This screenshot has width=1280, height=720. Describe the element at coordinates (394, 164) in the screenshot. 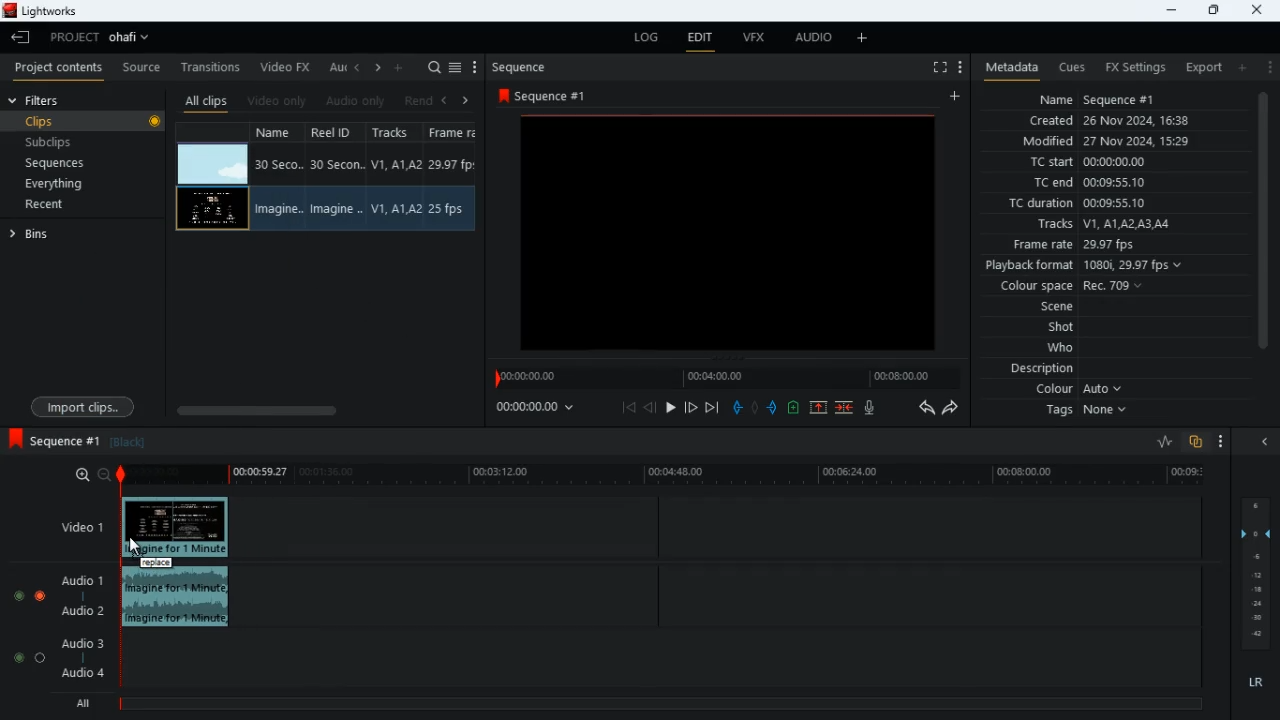

I see `V1, A1, A2` at that location.